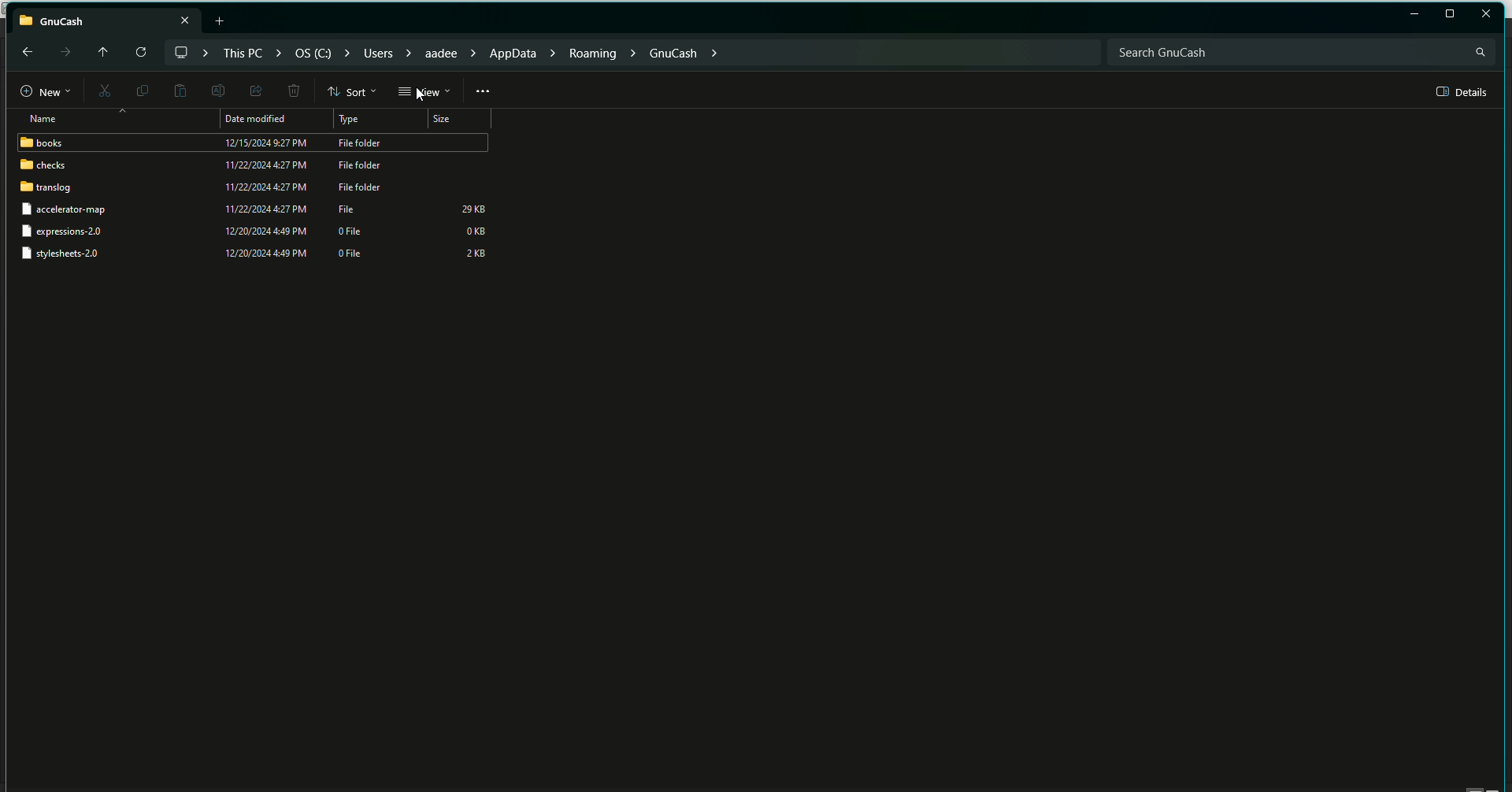 Image resolution: width=1512 pixels, height=792 pixels. I want to click on Date, so click(263, 154).